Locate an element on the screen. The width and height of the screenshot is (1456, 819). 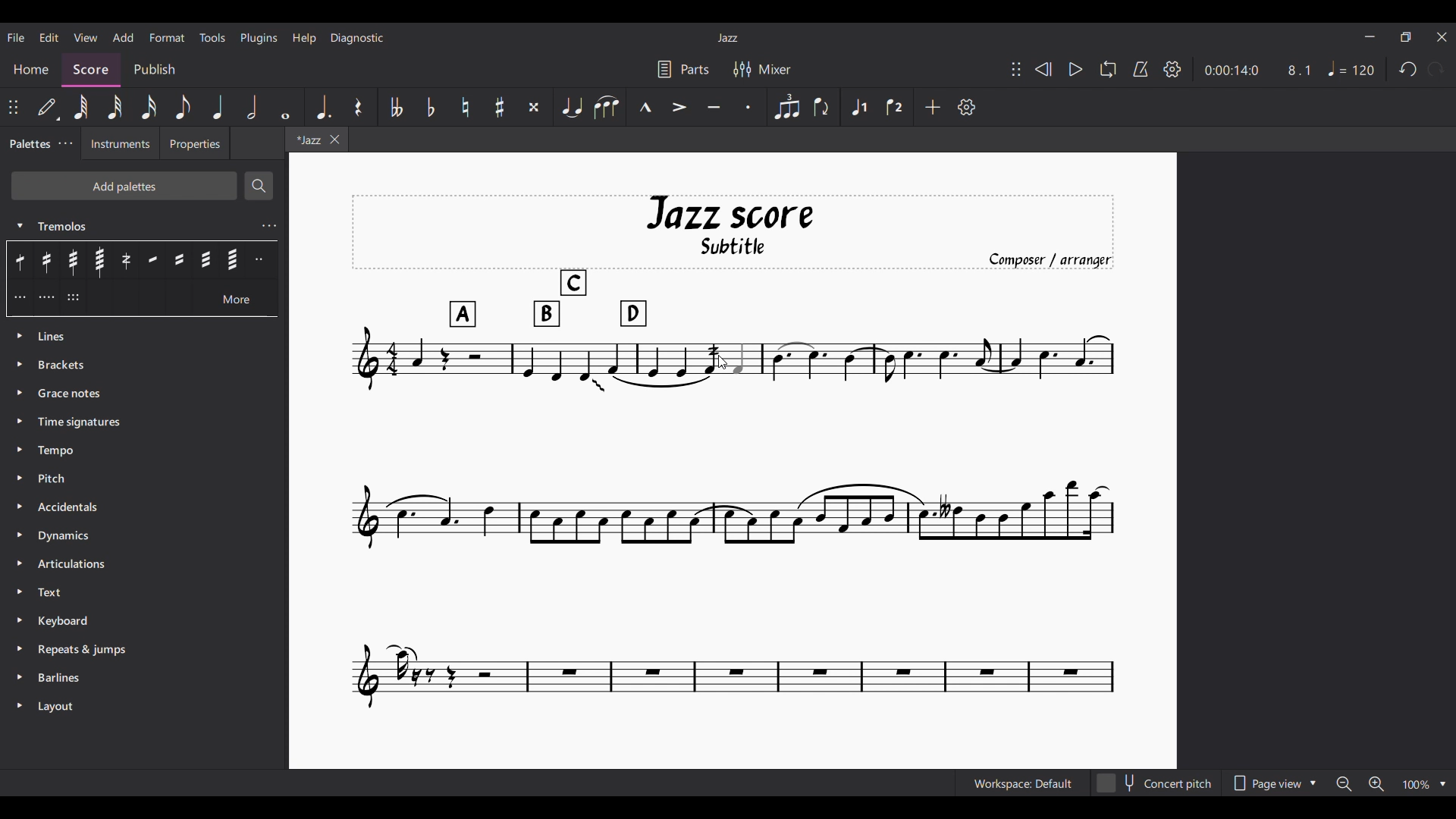
Add is located at coordinates (934, 107).